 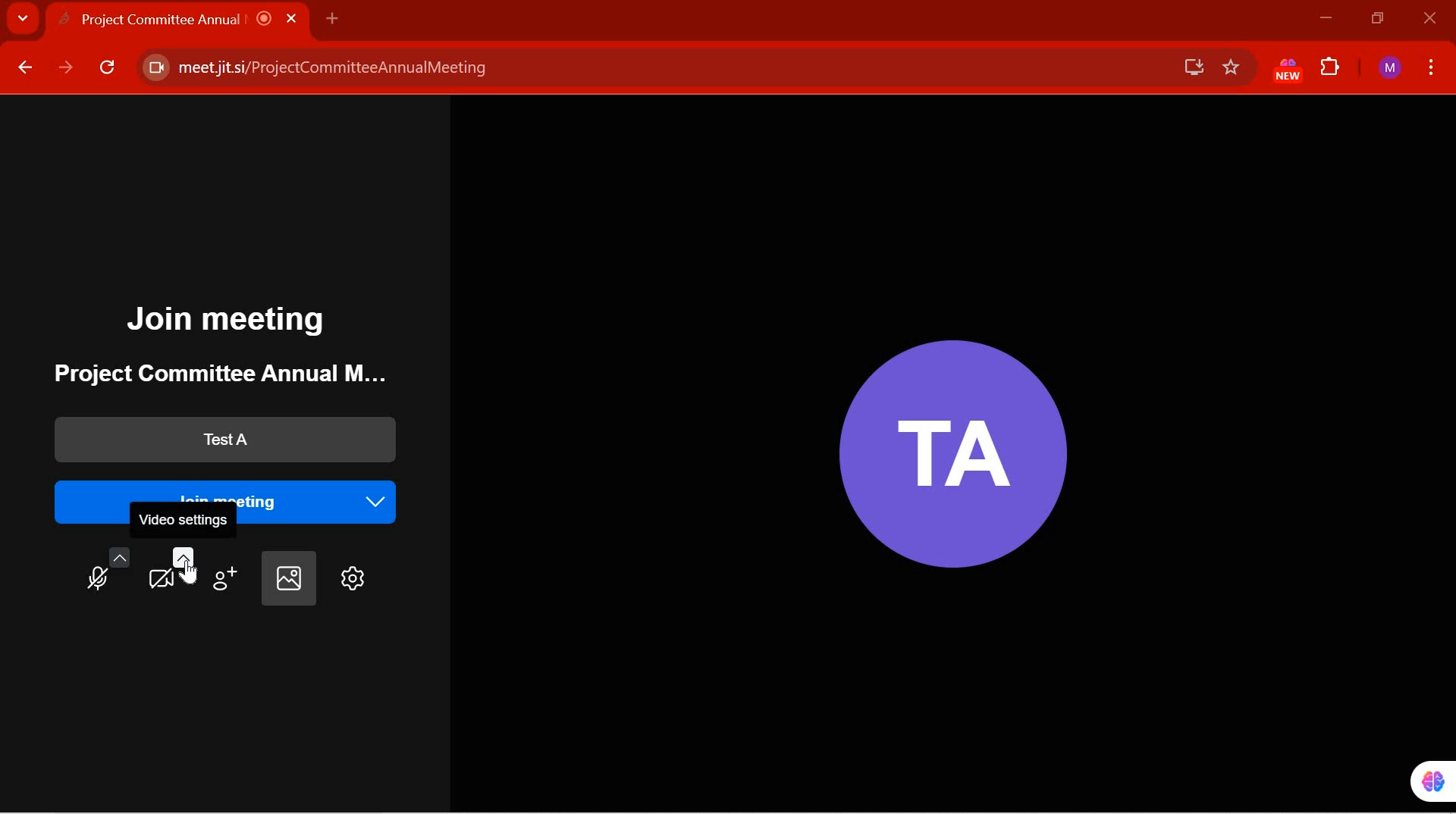 I want to click on select background, so click(x=287, y=579).